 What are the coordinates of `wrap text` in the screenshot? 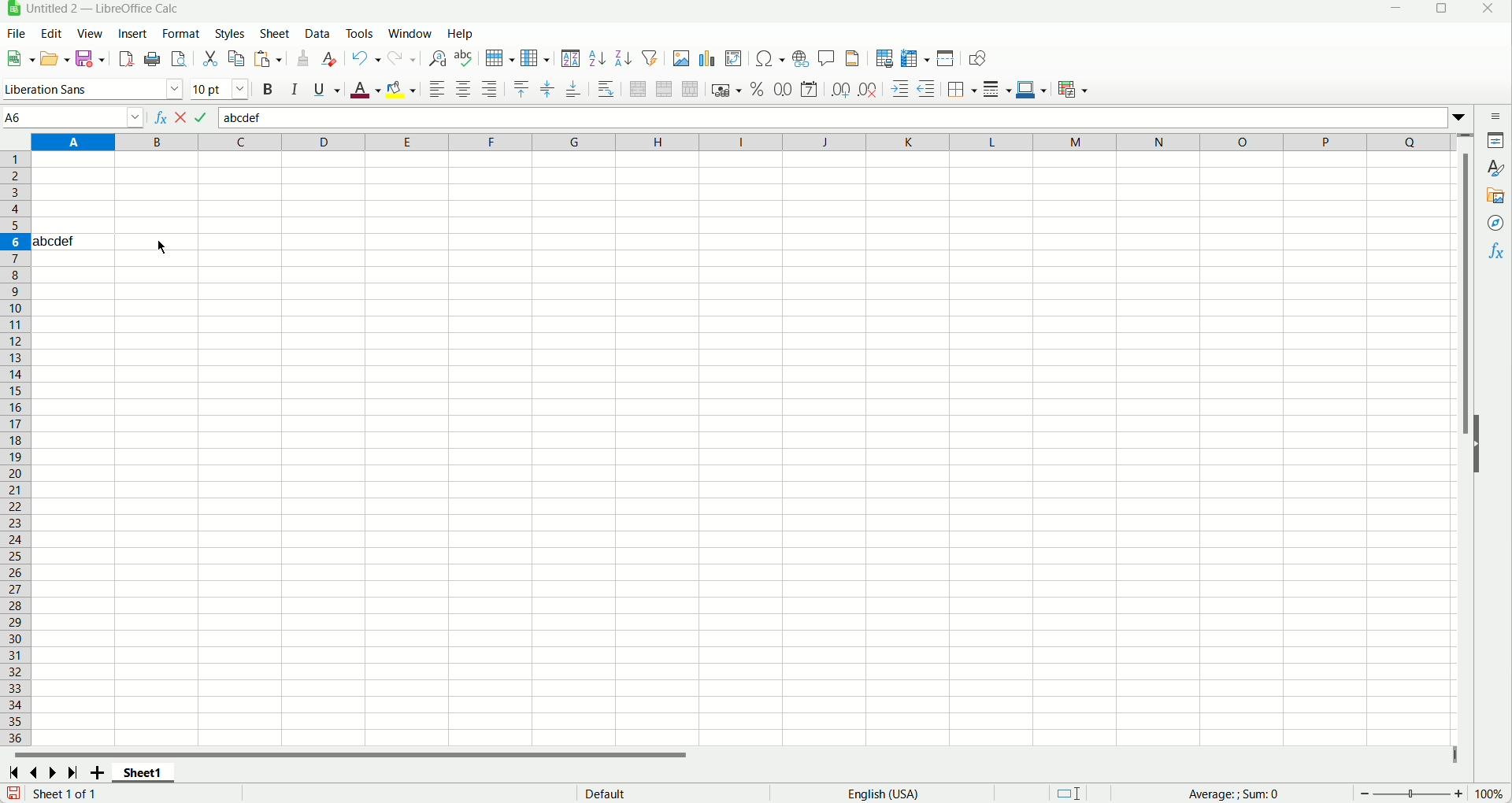 It's located at (607, 89).